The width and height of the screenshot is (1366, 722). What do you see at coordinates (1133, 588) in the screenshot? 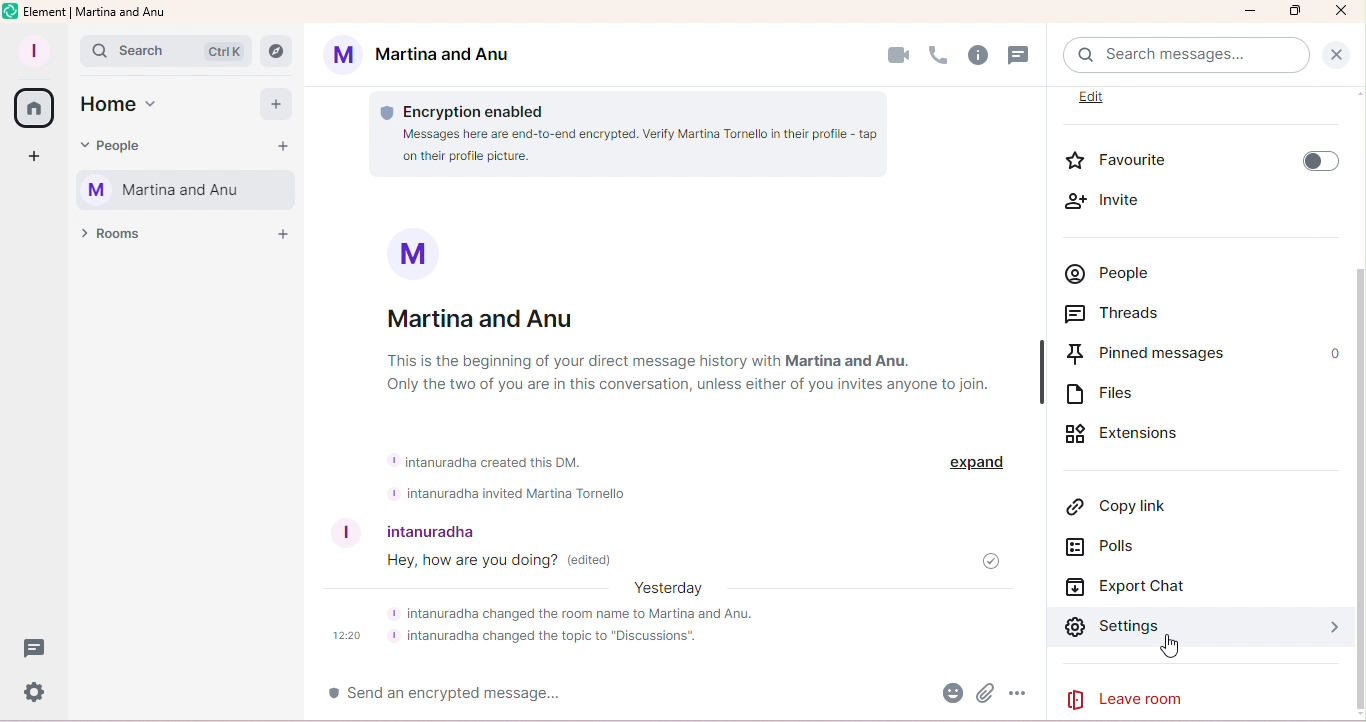
I see `Export chat` at bounding box center [1133, 588].